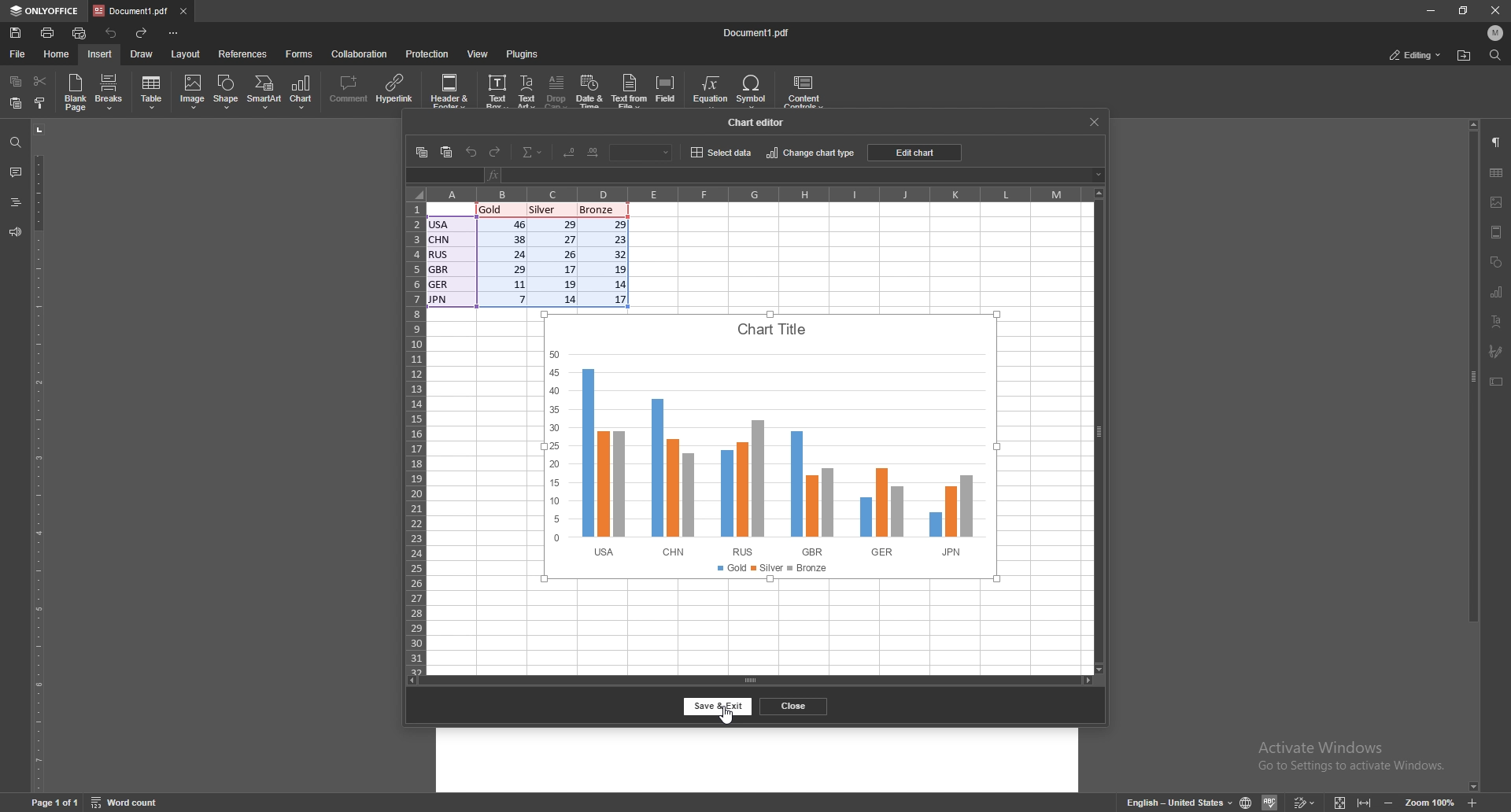  I want to click on symbol, so click(753, 93).